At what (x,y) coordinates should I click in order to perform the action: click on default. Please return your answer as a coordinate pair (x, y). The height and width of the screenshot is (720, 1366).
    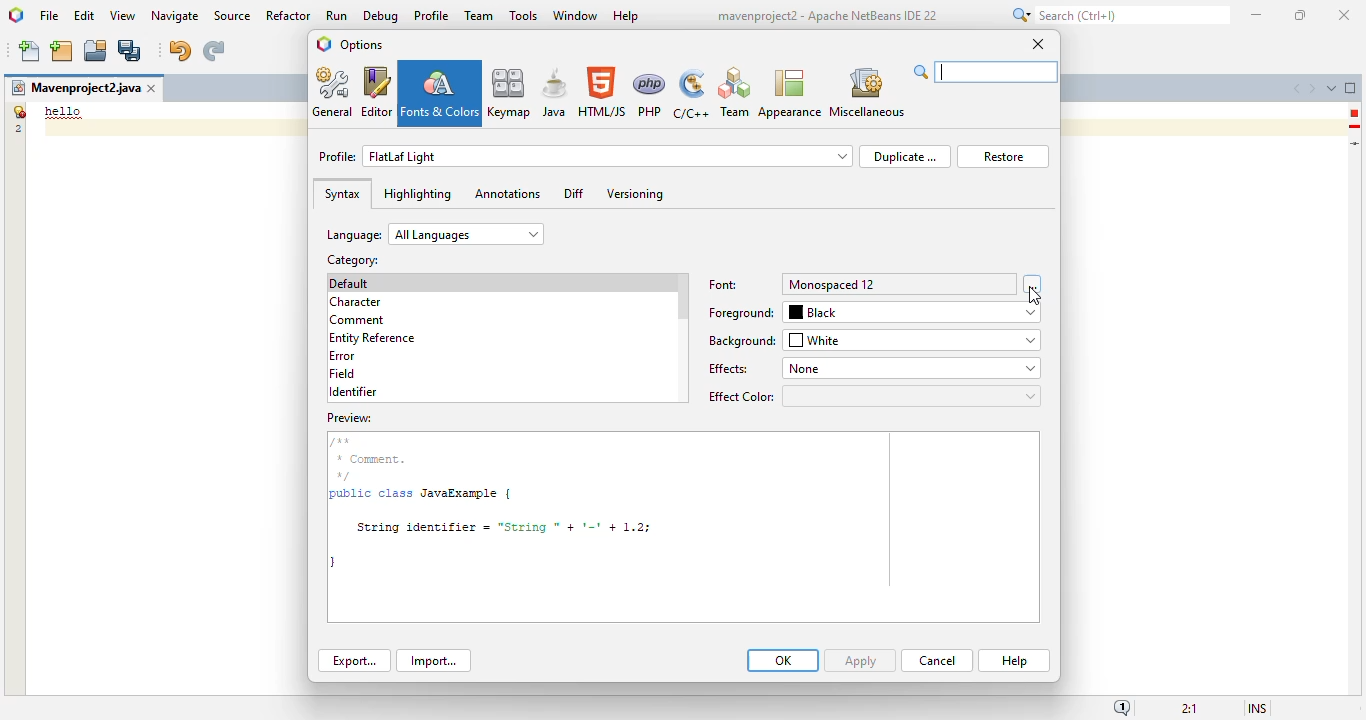
    Looking at the image, I should click on (350, 283).